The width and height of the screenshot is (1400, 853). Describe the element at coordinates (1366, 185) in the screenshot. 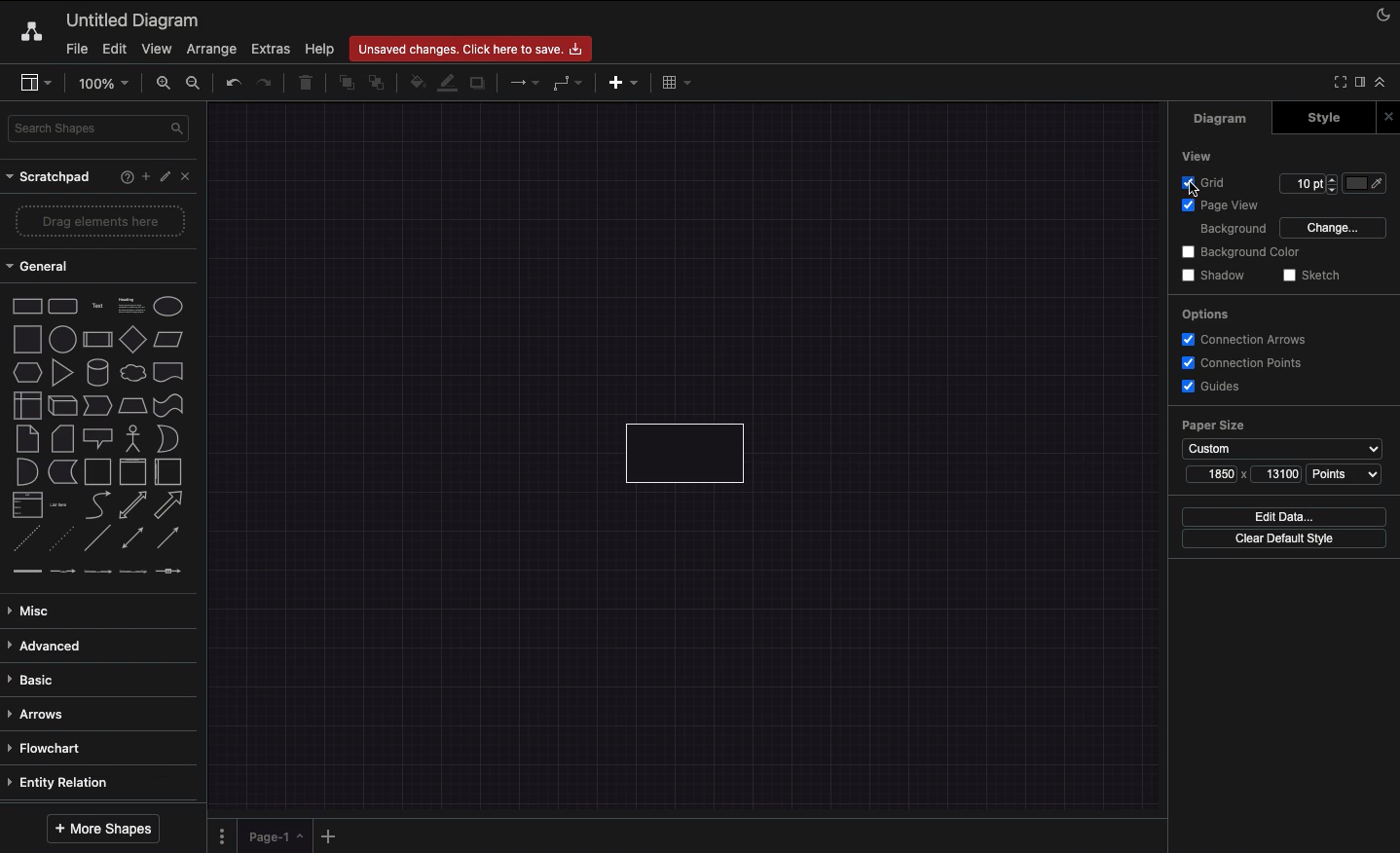

I see `Fill color` at that location.